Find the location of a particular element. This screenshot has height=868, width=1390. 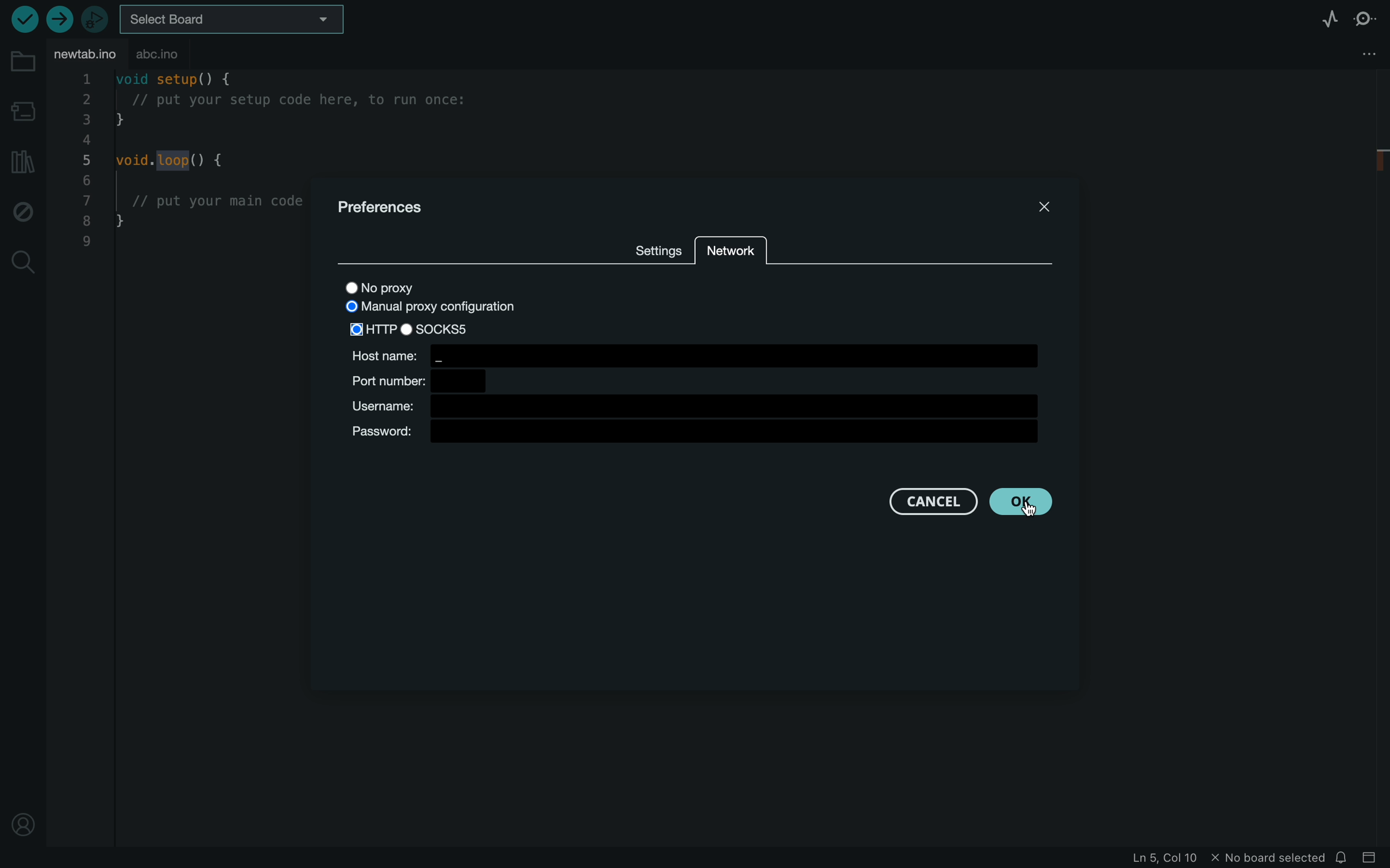

upload is located at coordinates (59, 21).